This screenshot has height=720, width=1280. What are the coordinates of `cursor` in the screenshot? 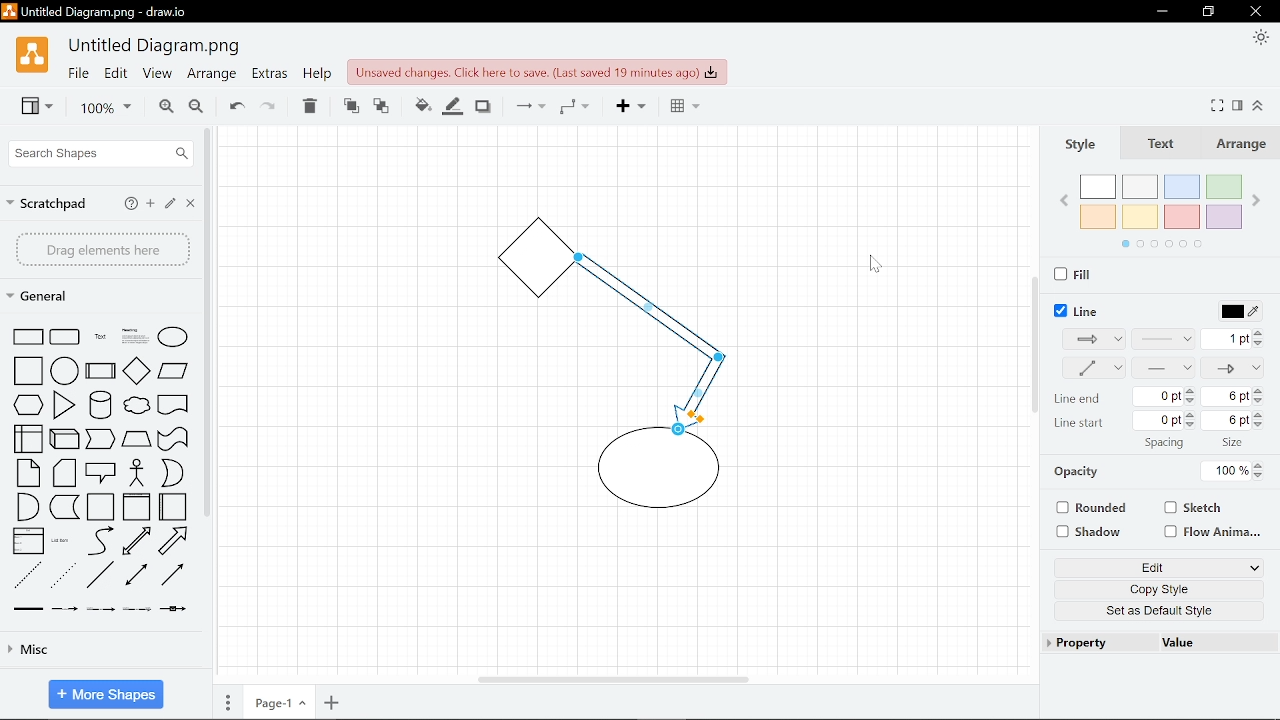 It's located at (876, 264).